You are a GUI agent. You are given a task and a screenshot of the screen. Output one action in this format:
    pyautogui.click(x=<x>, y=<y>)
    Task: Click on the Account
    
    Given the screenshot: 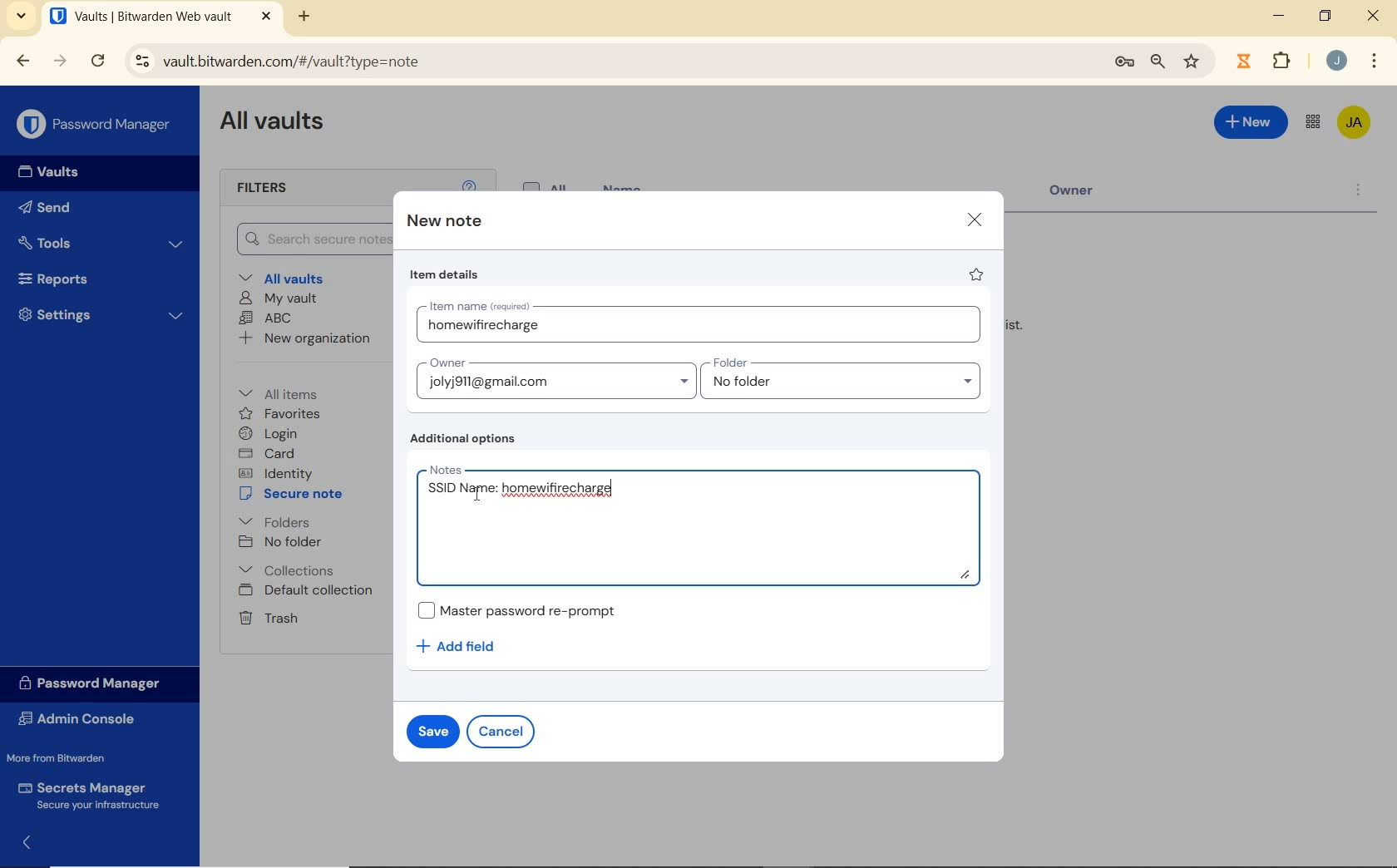 What is the action you would take?
    pyautogui.click(x=1335, y=60)
    